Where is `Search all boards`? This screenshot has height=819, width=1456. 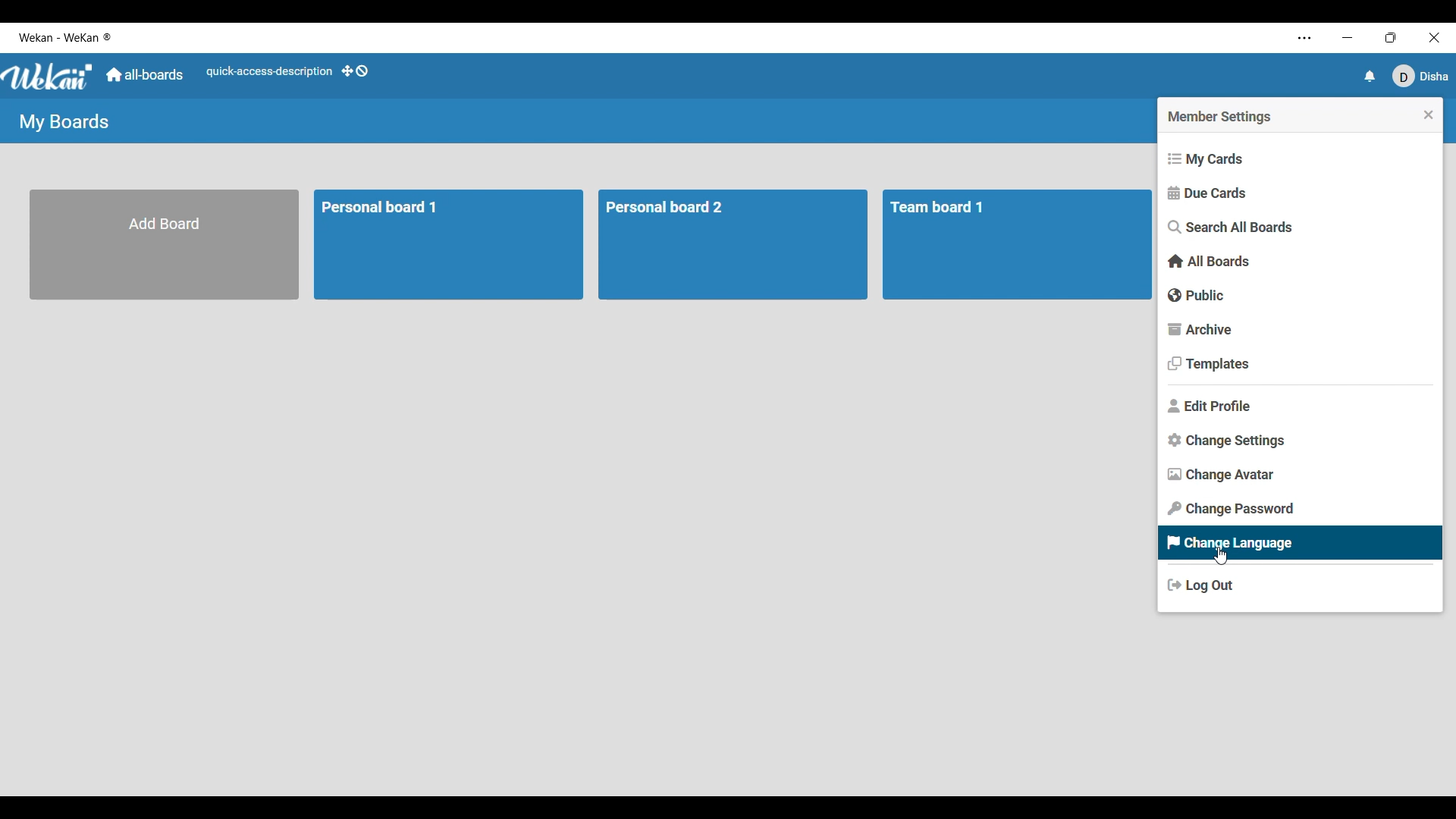 Search all boards is located at coordinates (1299, 227).